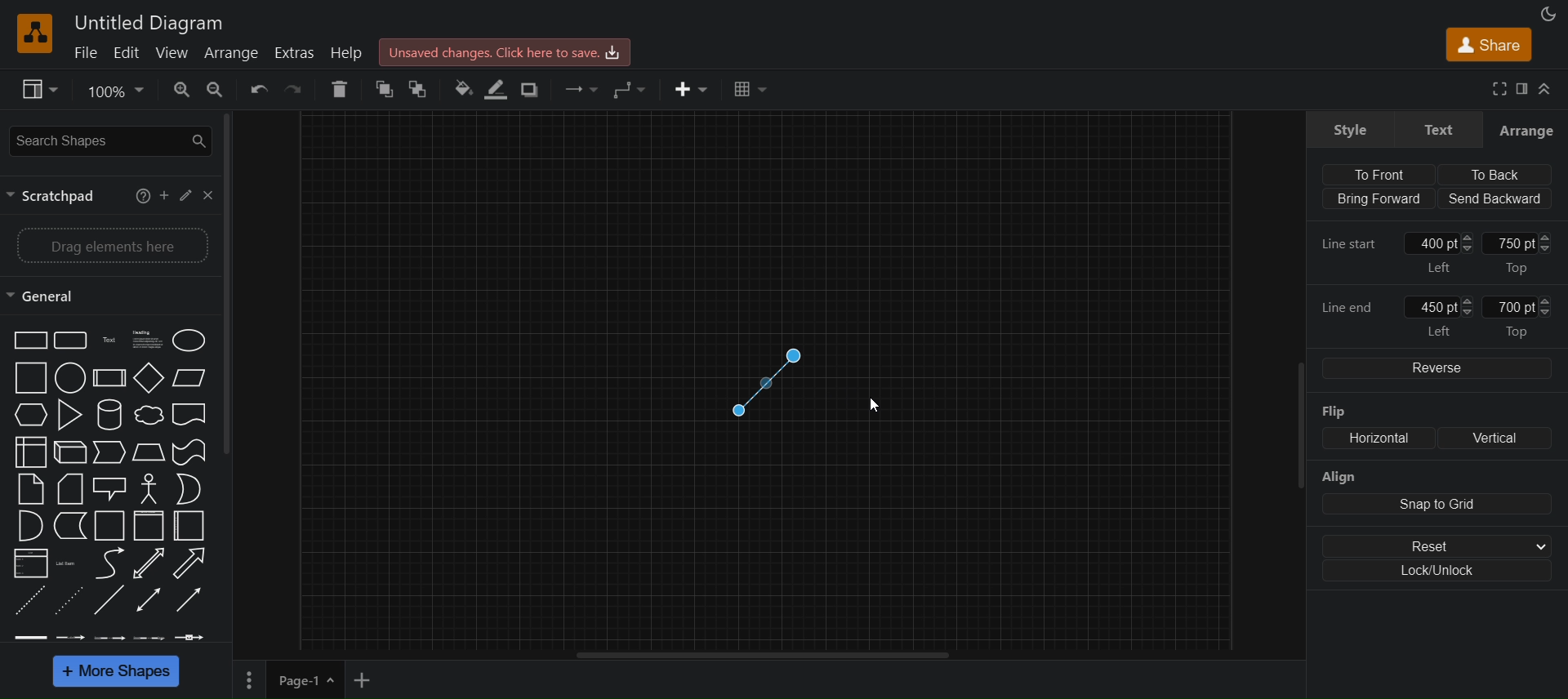 Image resolution: width=1568 pixels, height=699 pixels. I want to click on page-1, so click(307, 679).